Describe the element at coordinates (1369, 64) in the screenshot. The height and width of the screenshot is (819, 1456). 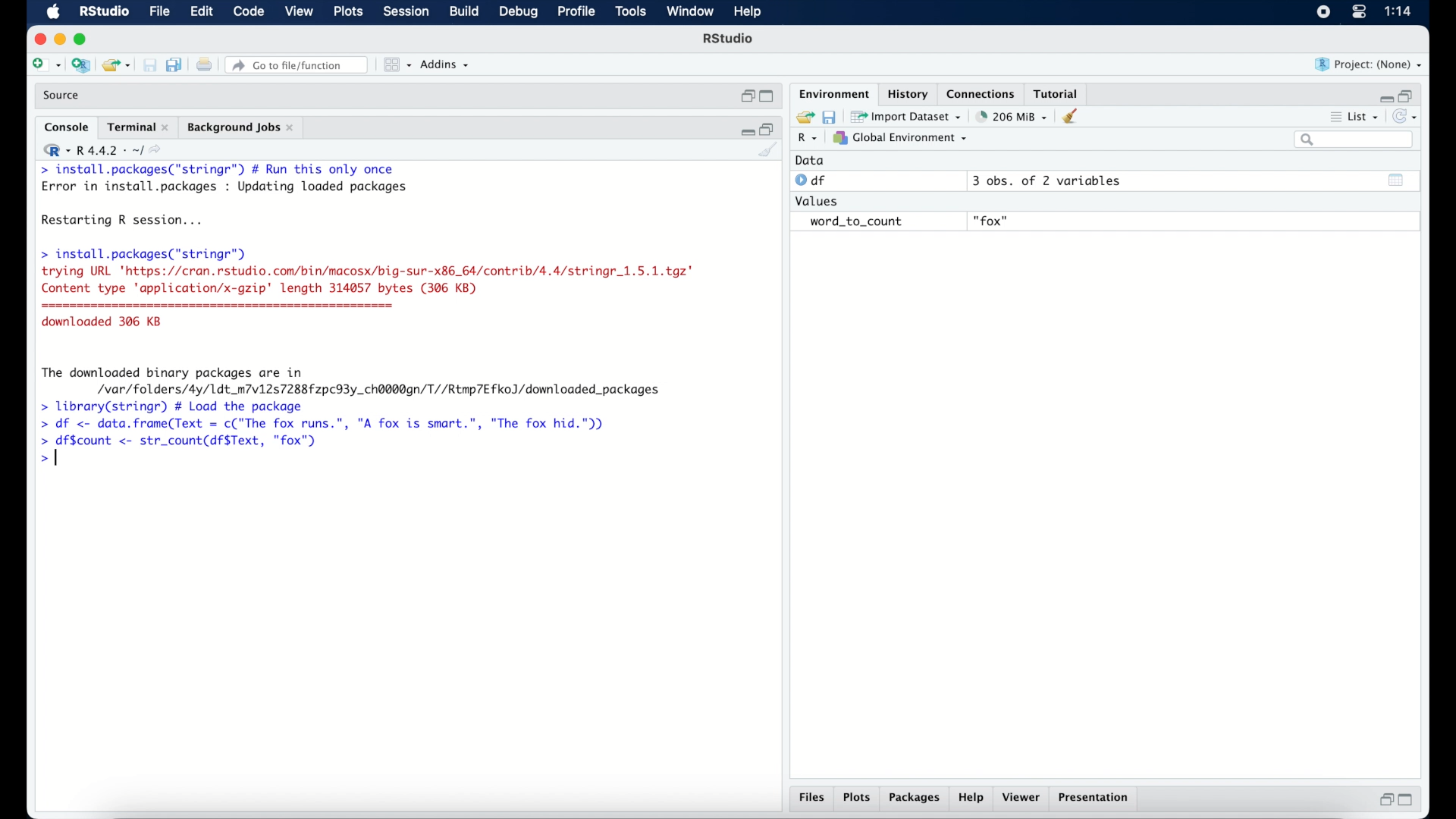
I see `project (none)` at that location.